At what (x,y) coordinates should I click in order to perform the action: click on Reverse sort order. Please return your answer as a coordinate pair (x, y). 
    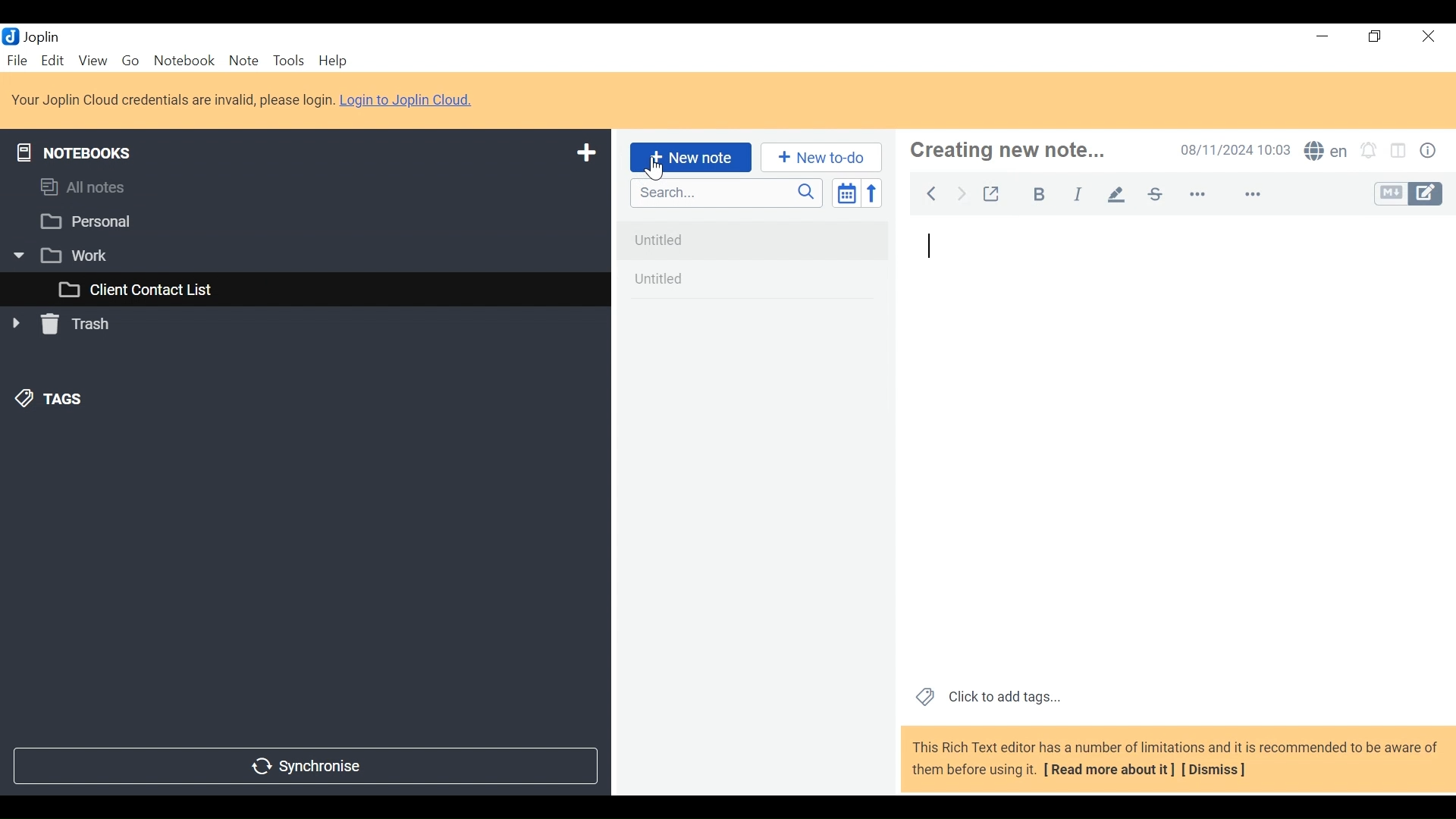
    Looking at the image, I should click on (871, 193).